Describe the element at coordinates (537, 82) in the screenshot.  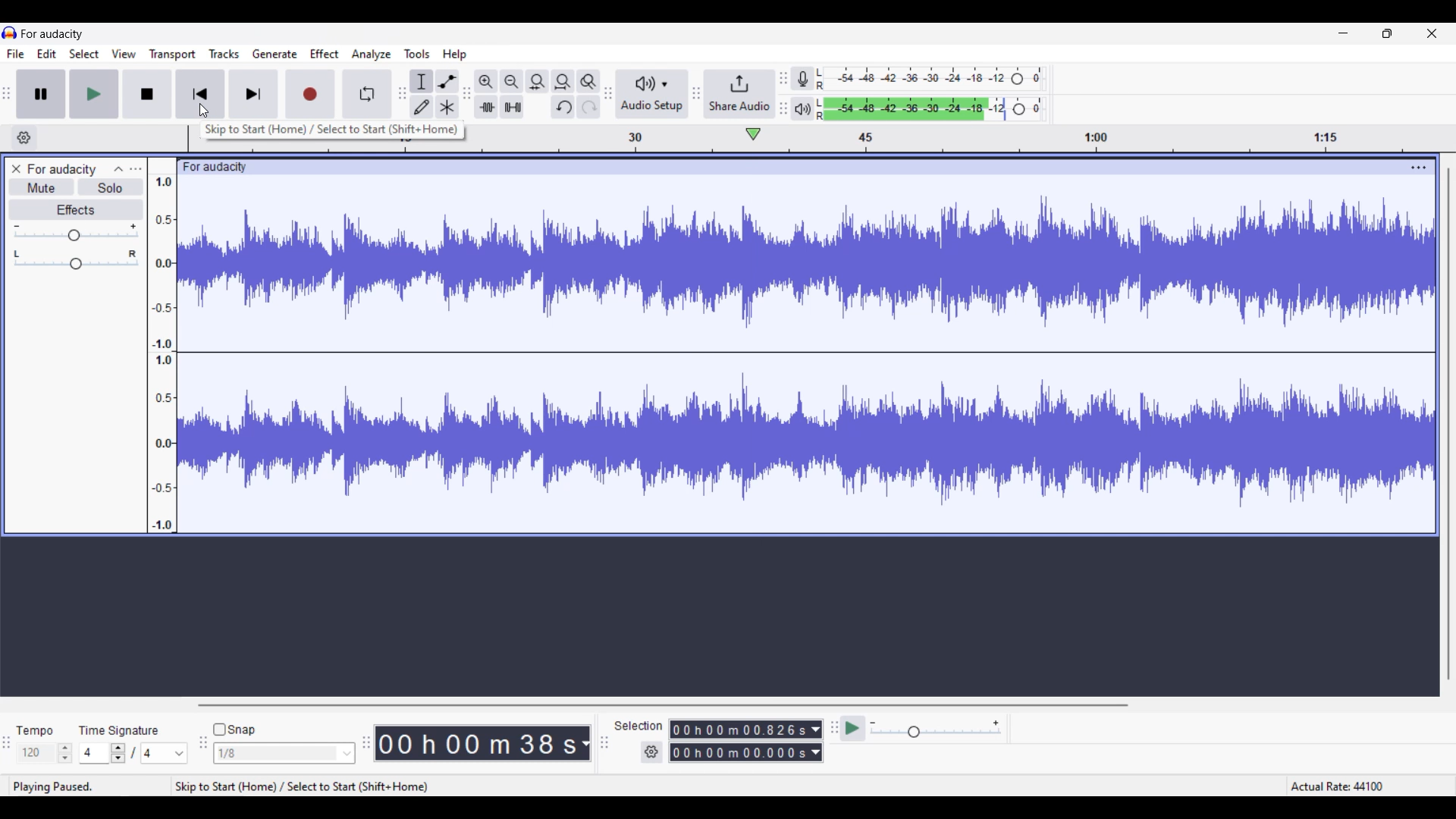
I see `Fit selection to width` at that location.